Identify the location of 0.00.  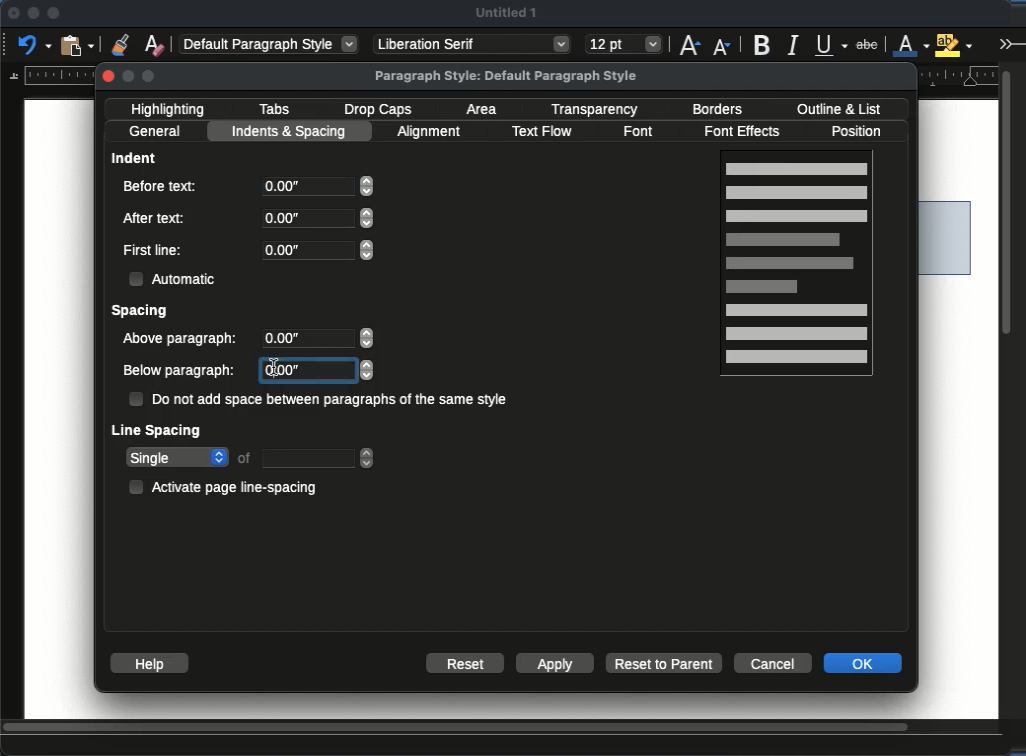
(317, 250).